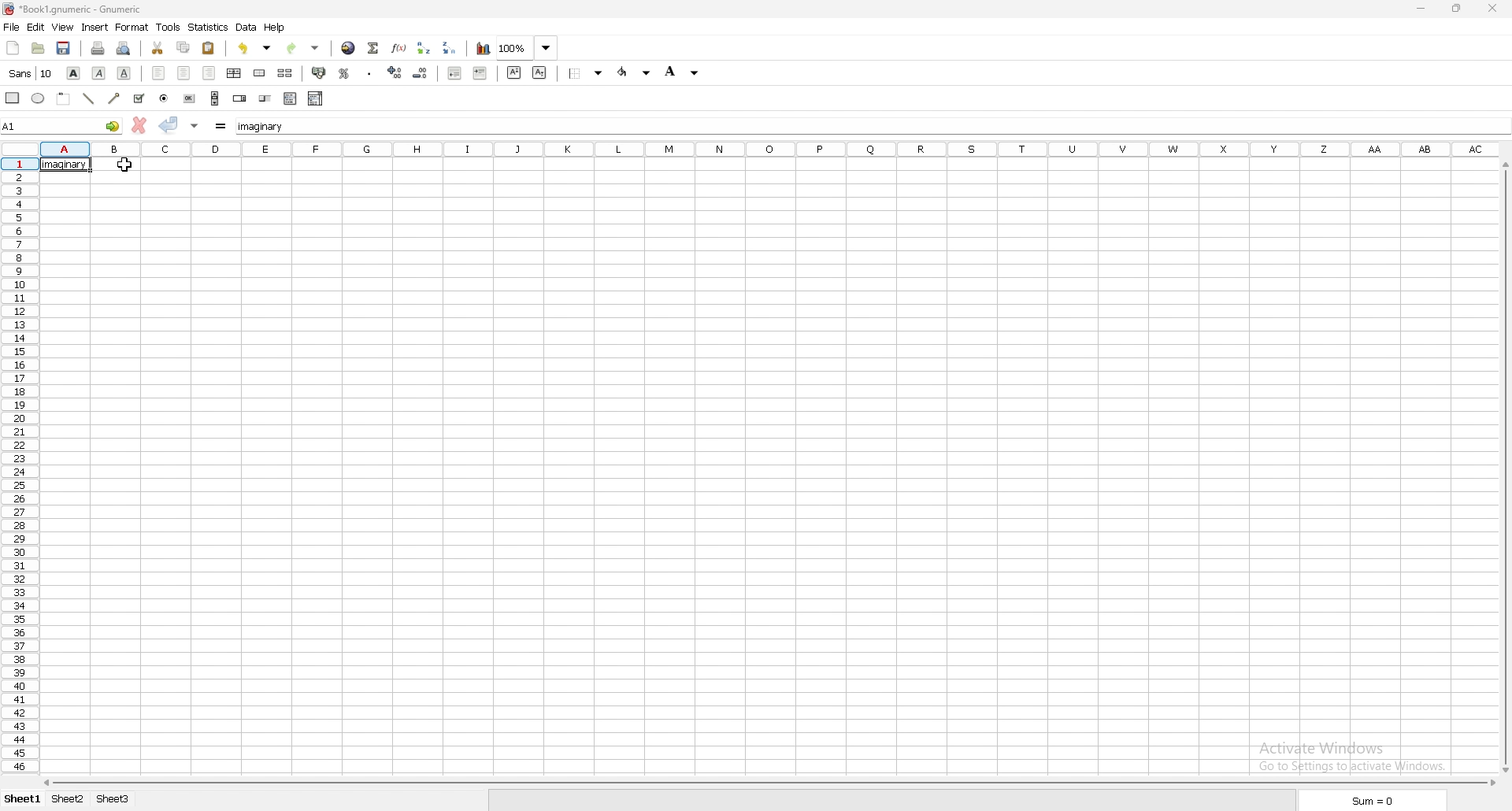 Image resolution: width=1512 pixels, height=811 pixels. I want to click on sort ascending, so click(424, 48).